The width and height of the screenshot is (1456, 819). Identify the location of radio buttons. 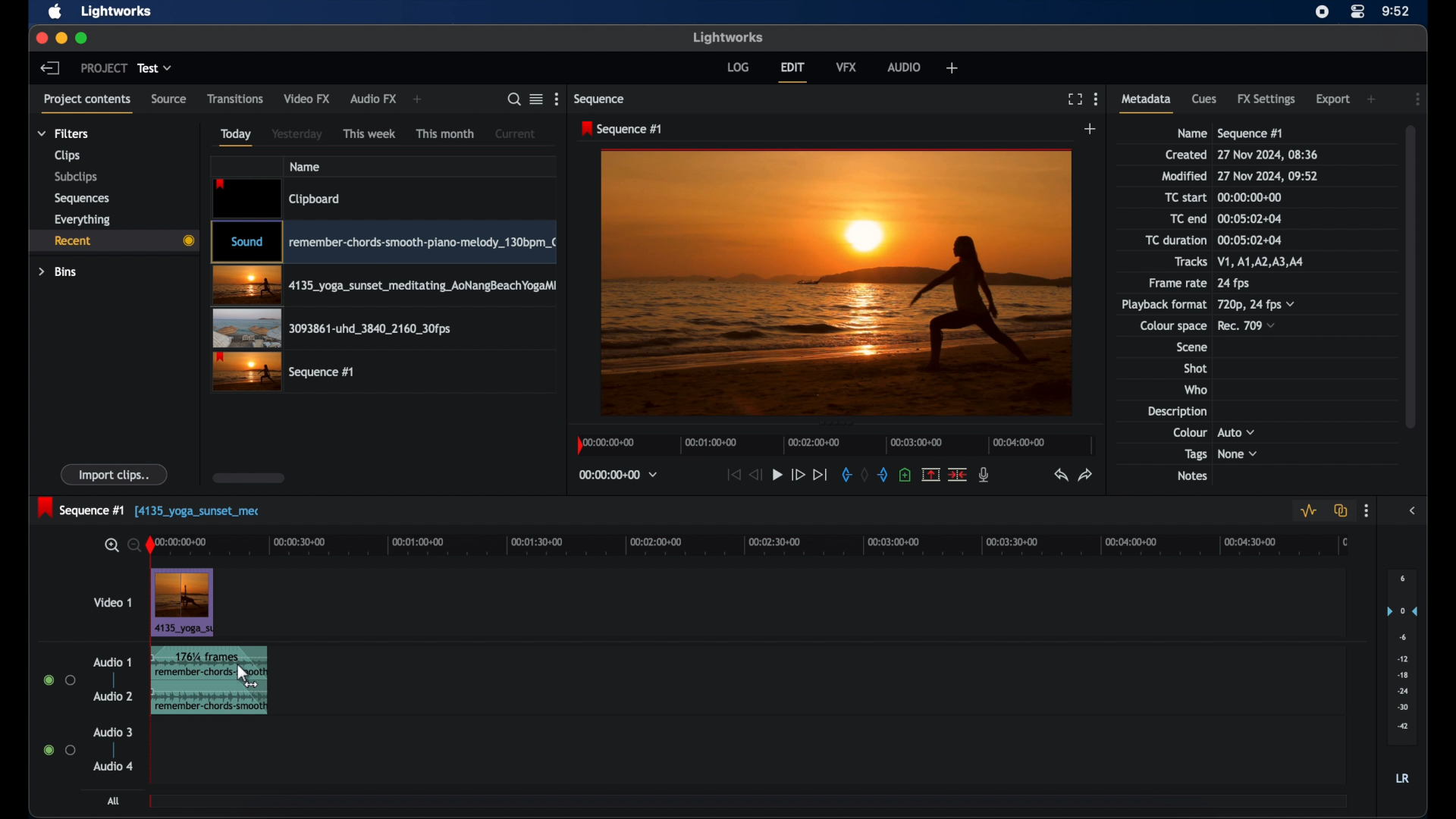
(59, 679).